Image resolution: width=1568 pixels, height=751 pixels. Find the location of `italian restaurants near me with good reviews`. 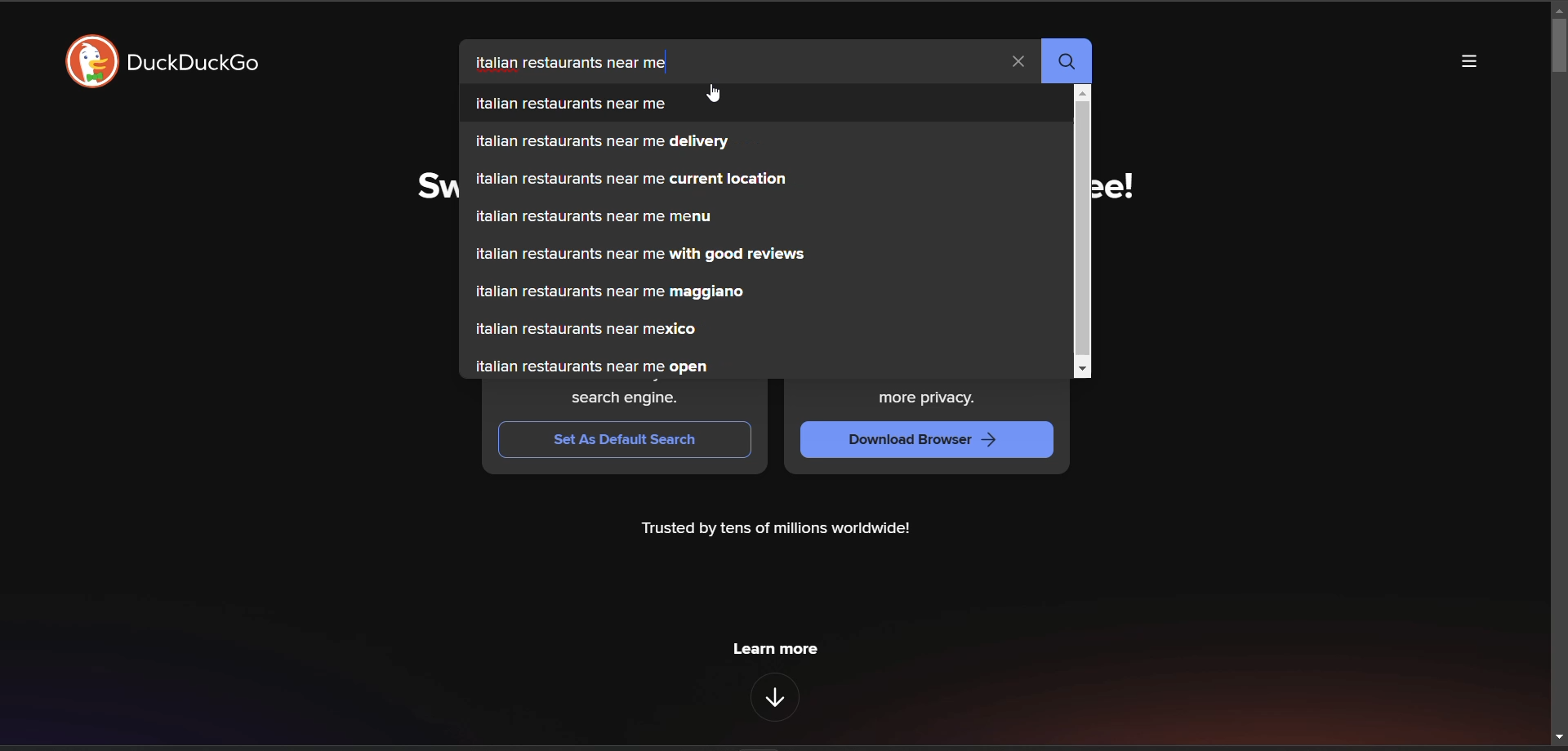

italian restaurants near me with good reviews is located at coordinates (764, 254).